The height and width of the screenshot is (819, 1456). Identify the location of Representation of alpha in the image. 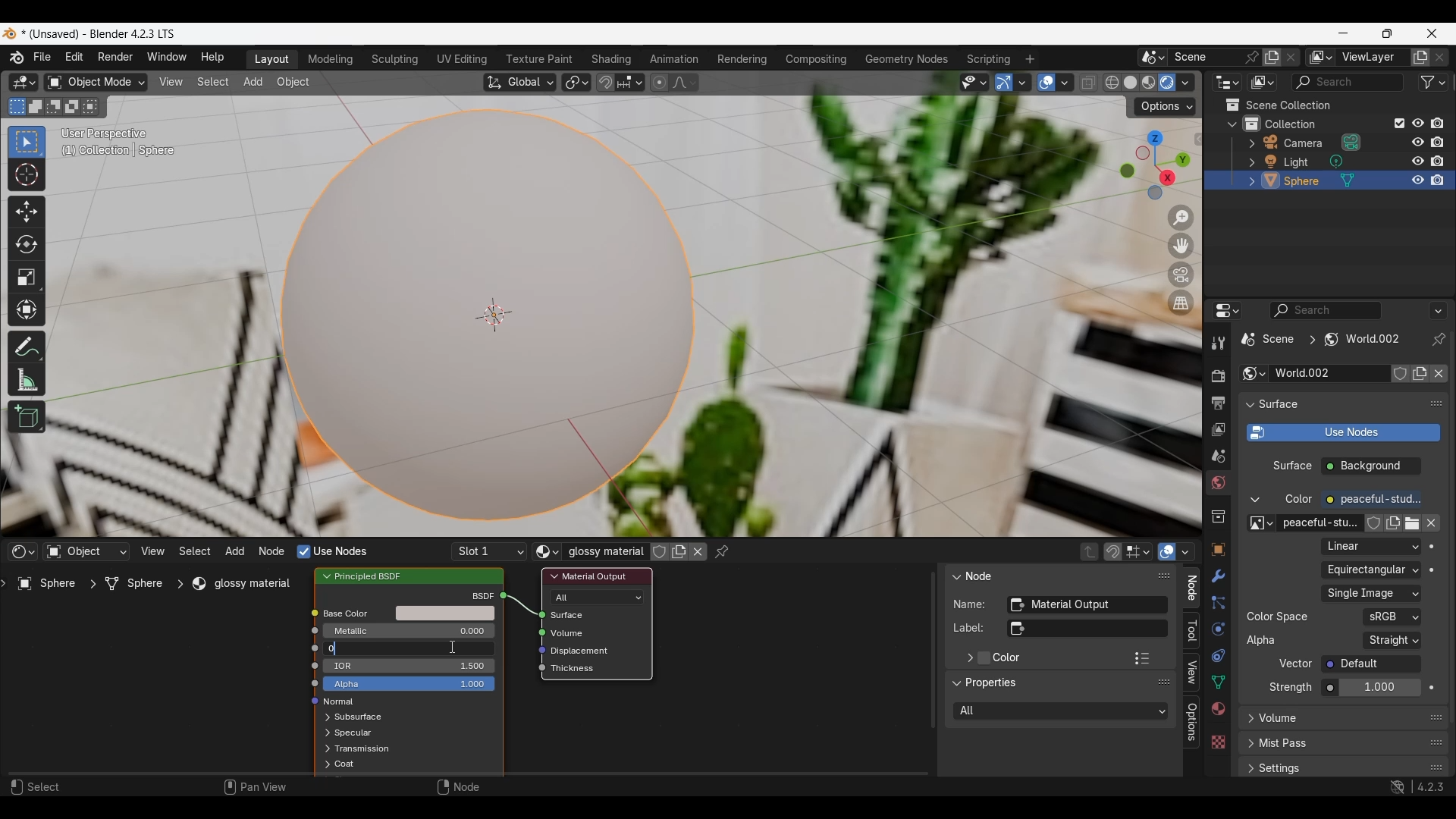
(1392, 640).